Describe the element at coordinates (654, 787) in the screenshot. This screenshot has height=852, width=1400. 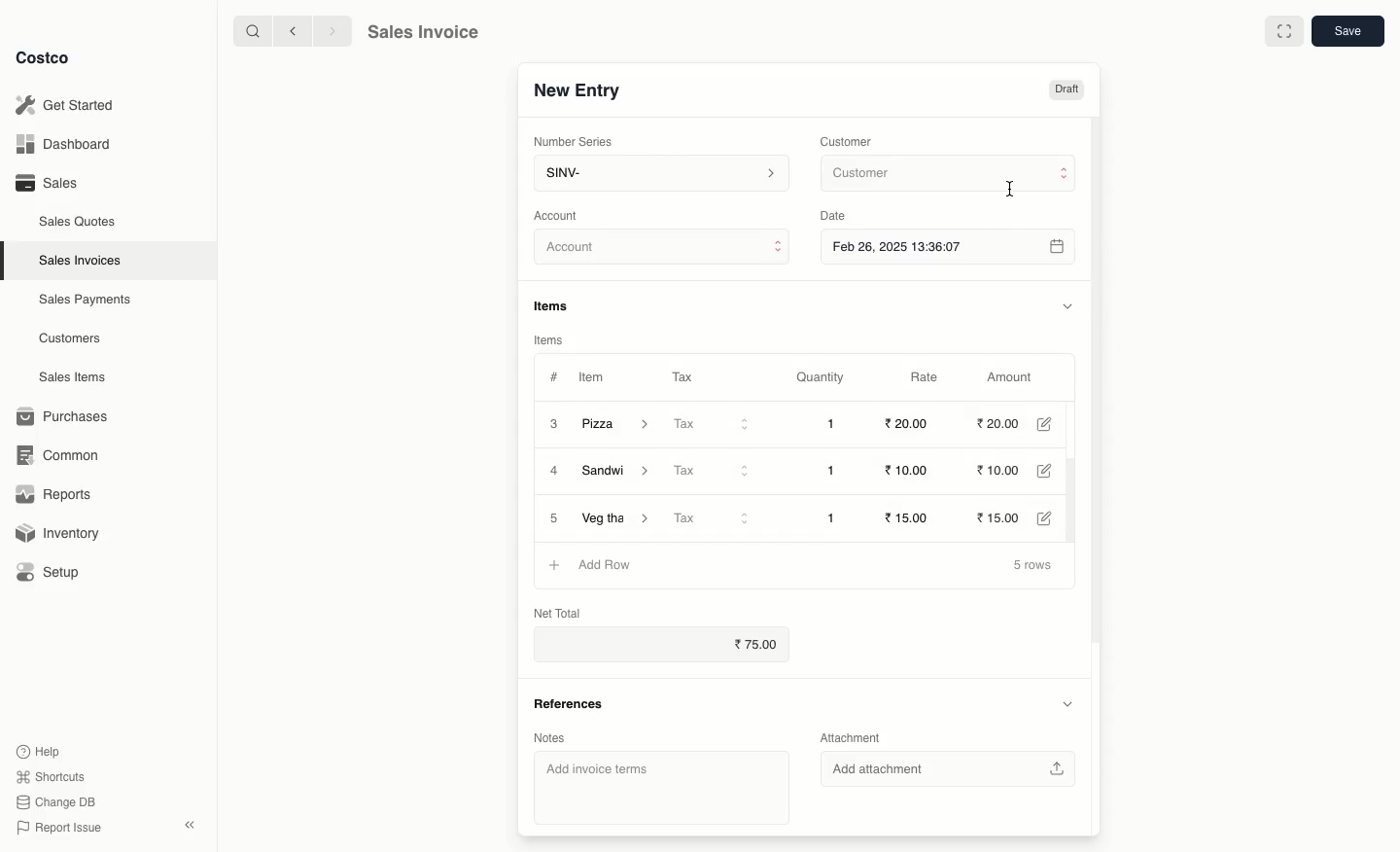
I see `‘Add invoice terms` at that location.